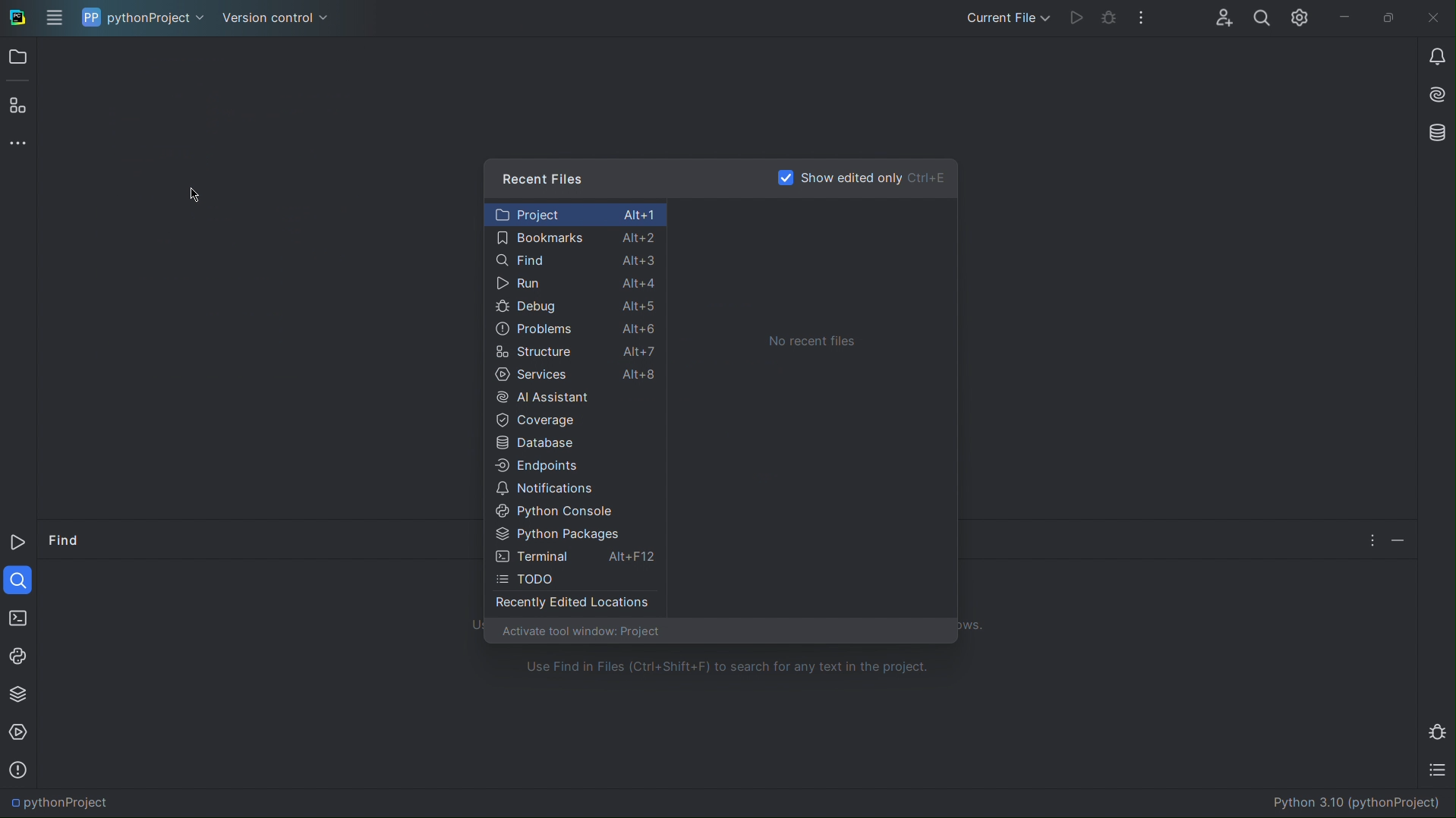  Describe the element at coordinates (19, 141) in the screenshot. I see `More` at that location.